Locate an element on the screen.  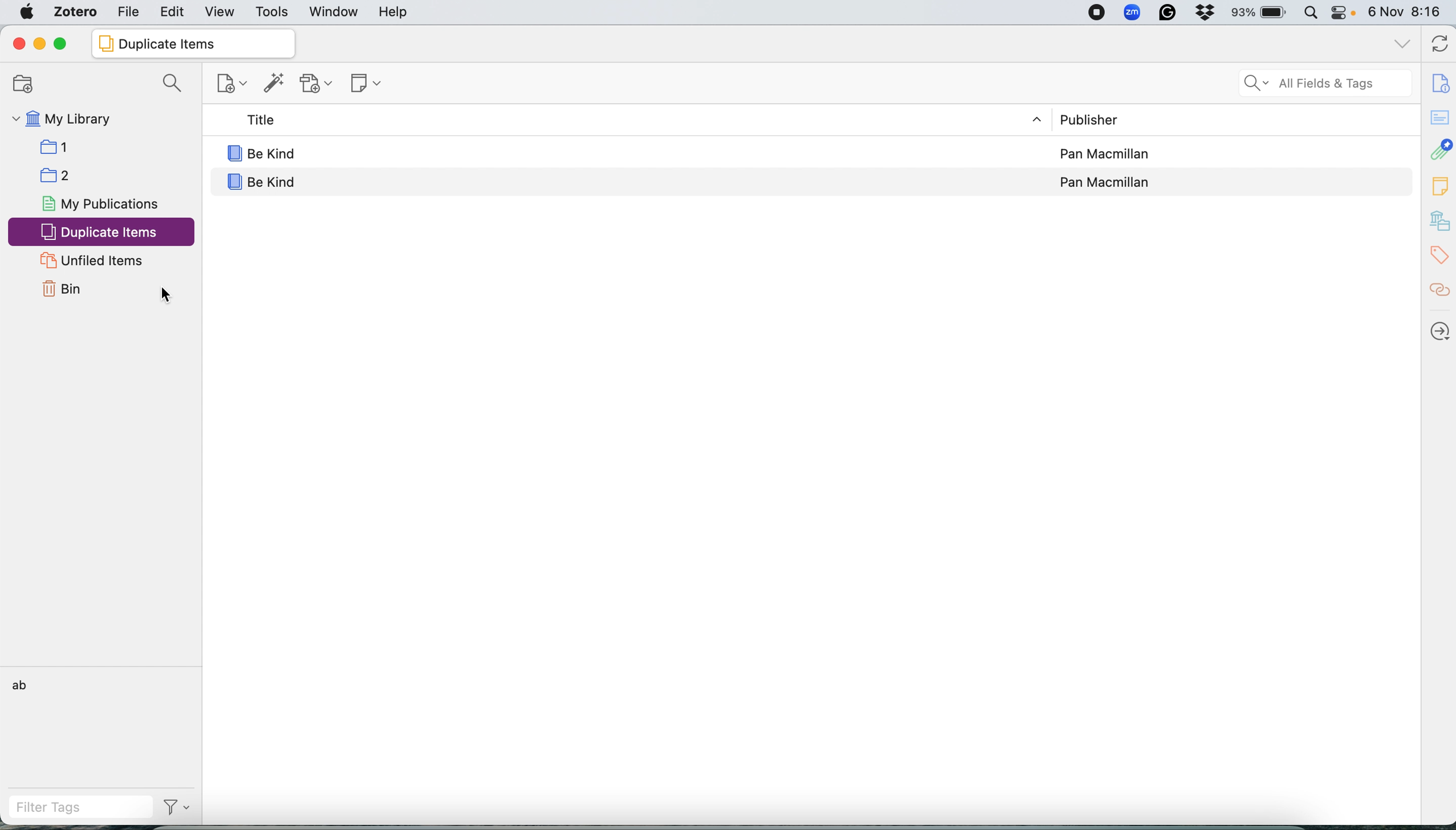
duplicate items selected is located at coordinates (102, 233).